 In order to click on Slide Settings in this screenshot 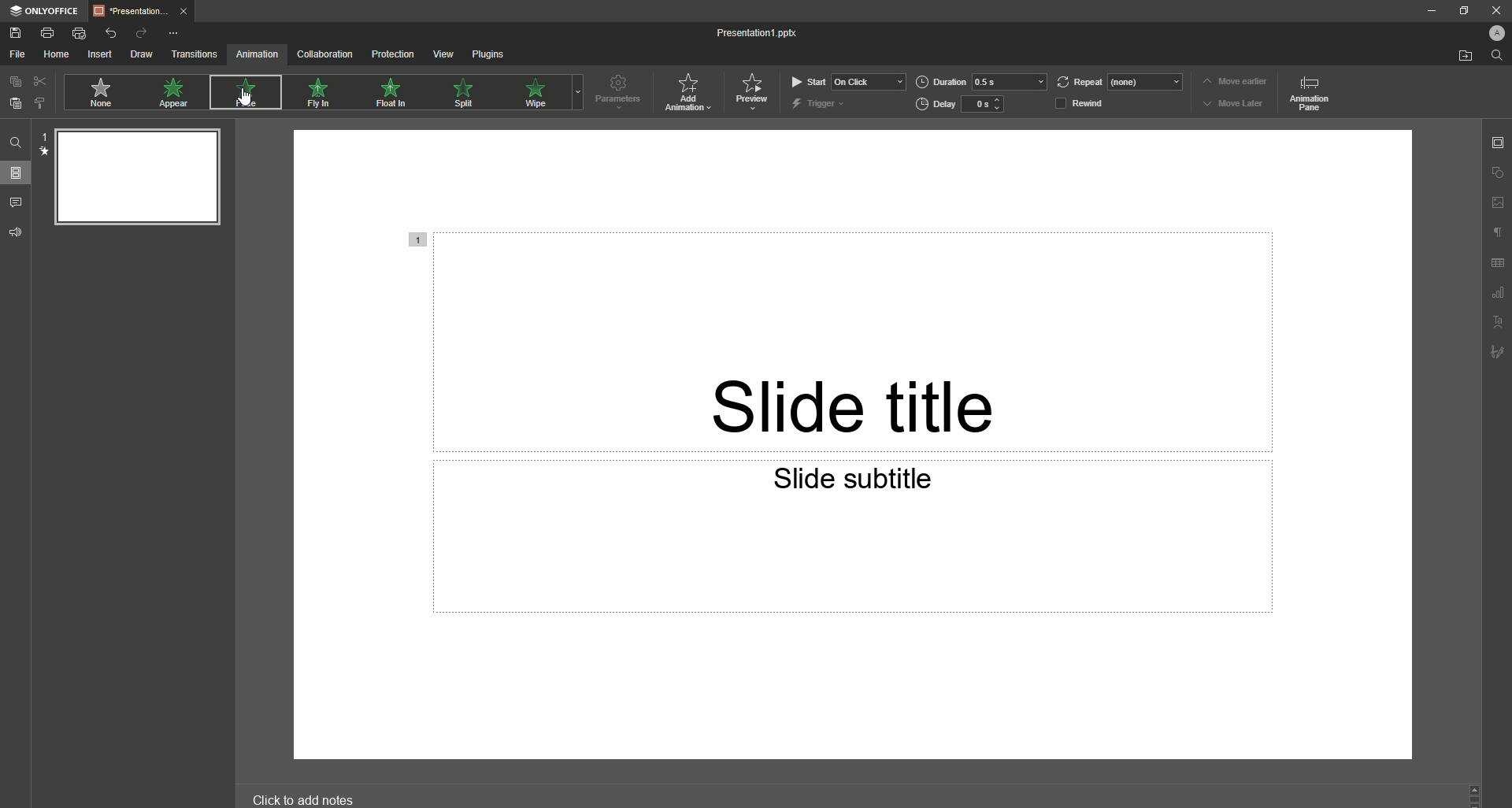, I will do `click(1498, 141)`.